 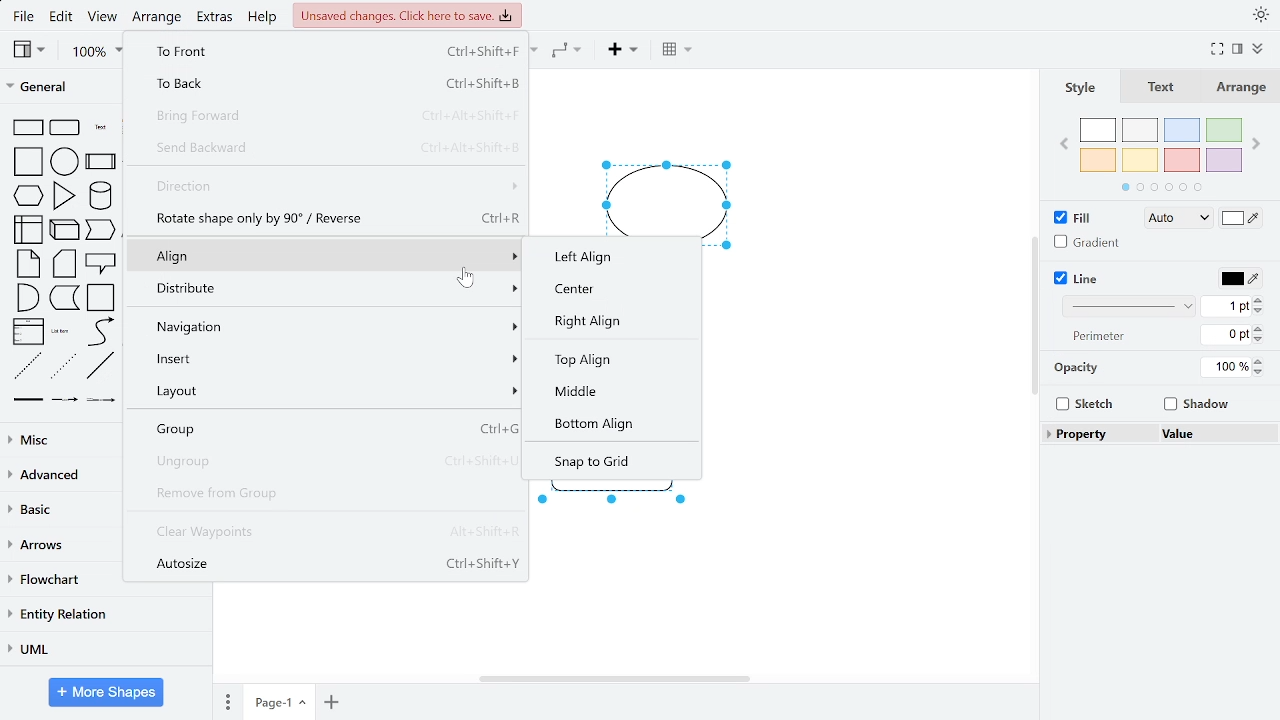 I want to click on previous, so click(x=1064, y=146).